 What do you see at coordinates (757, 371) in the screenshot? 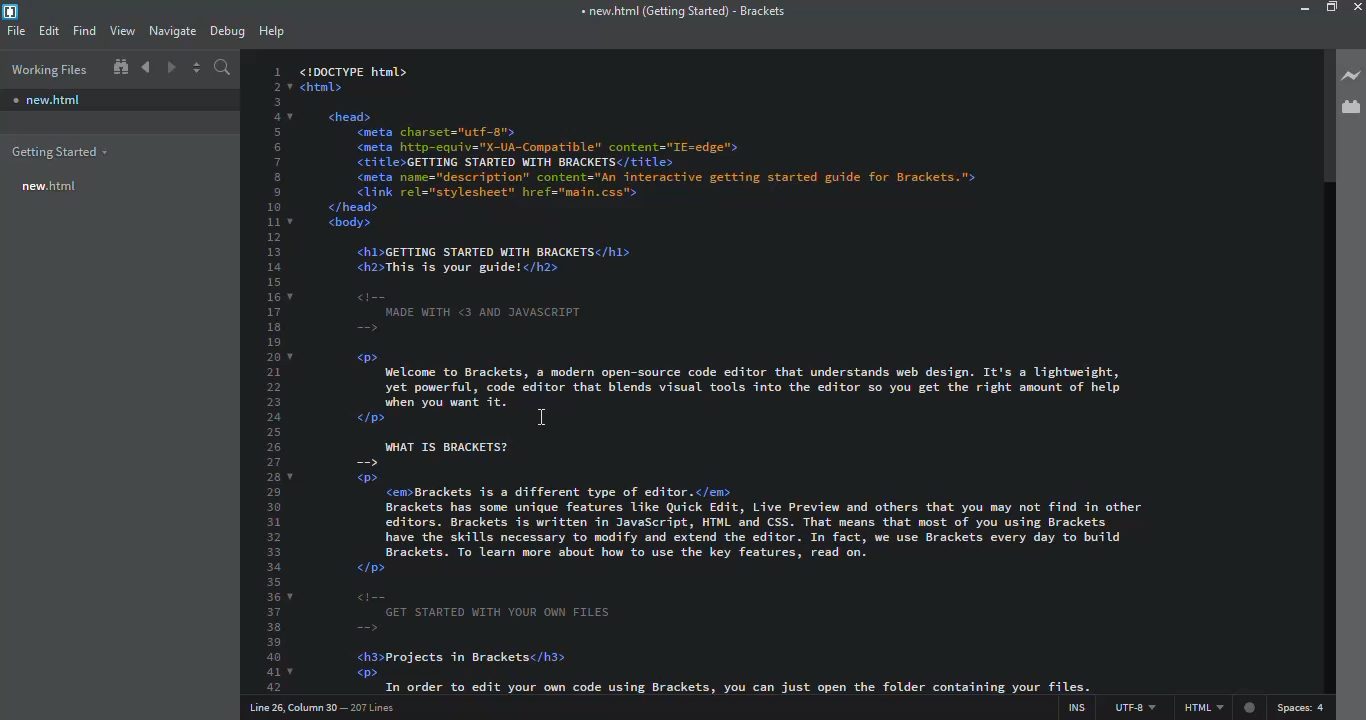
I see `test code` at bounding box center [757, 371].